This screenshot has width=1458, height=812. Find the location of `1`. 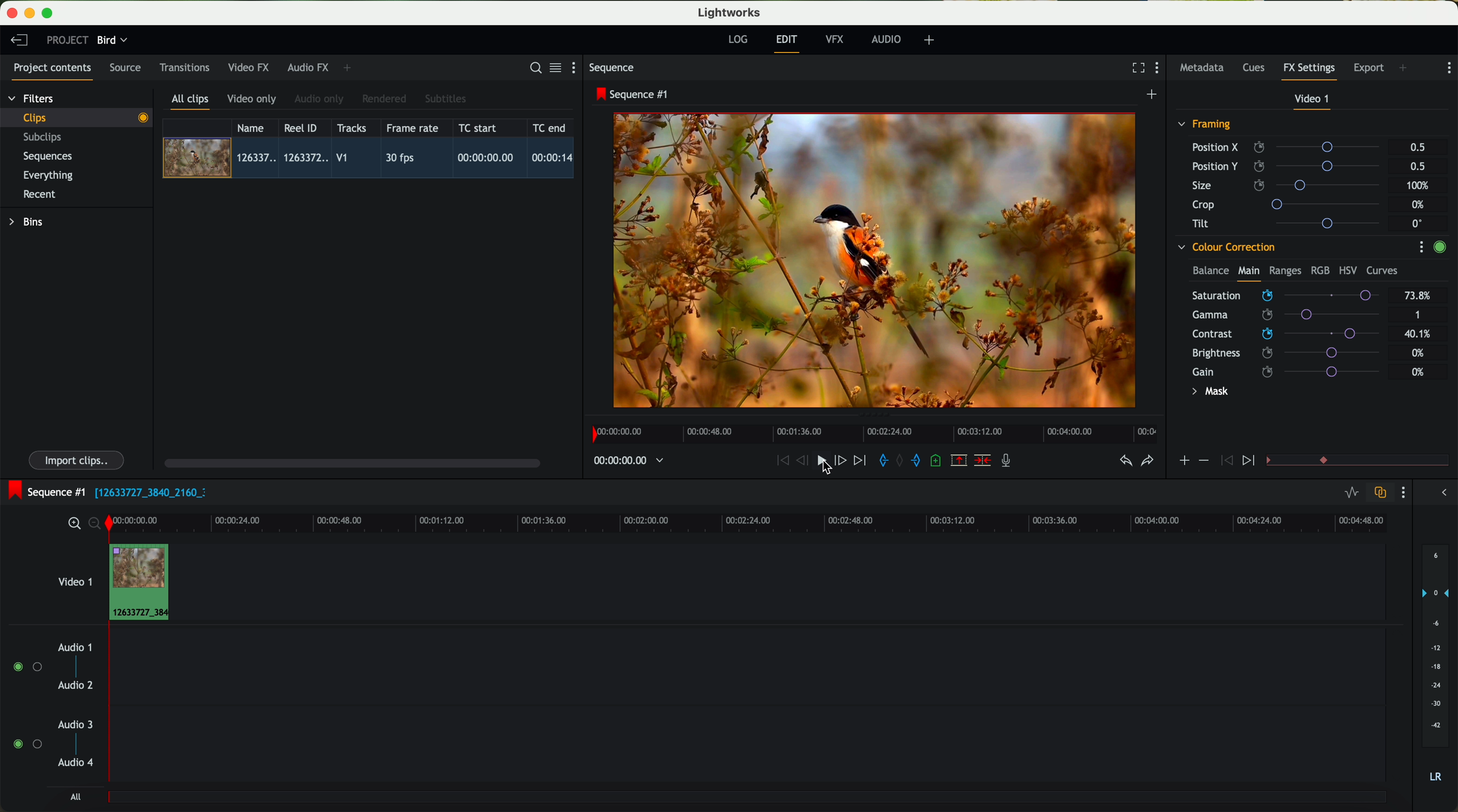

1 is located at coordinates (1418, 316).